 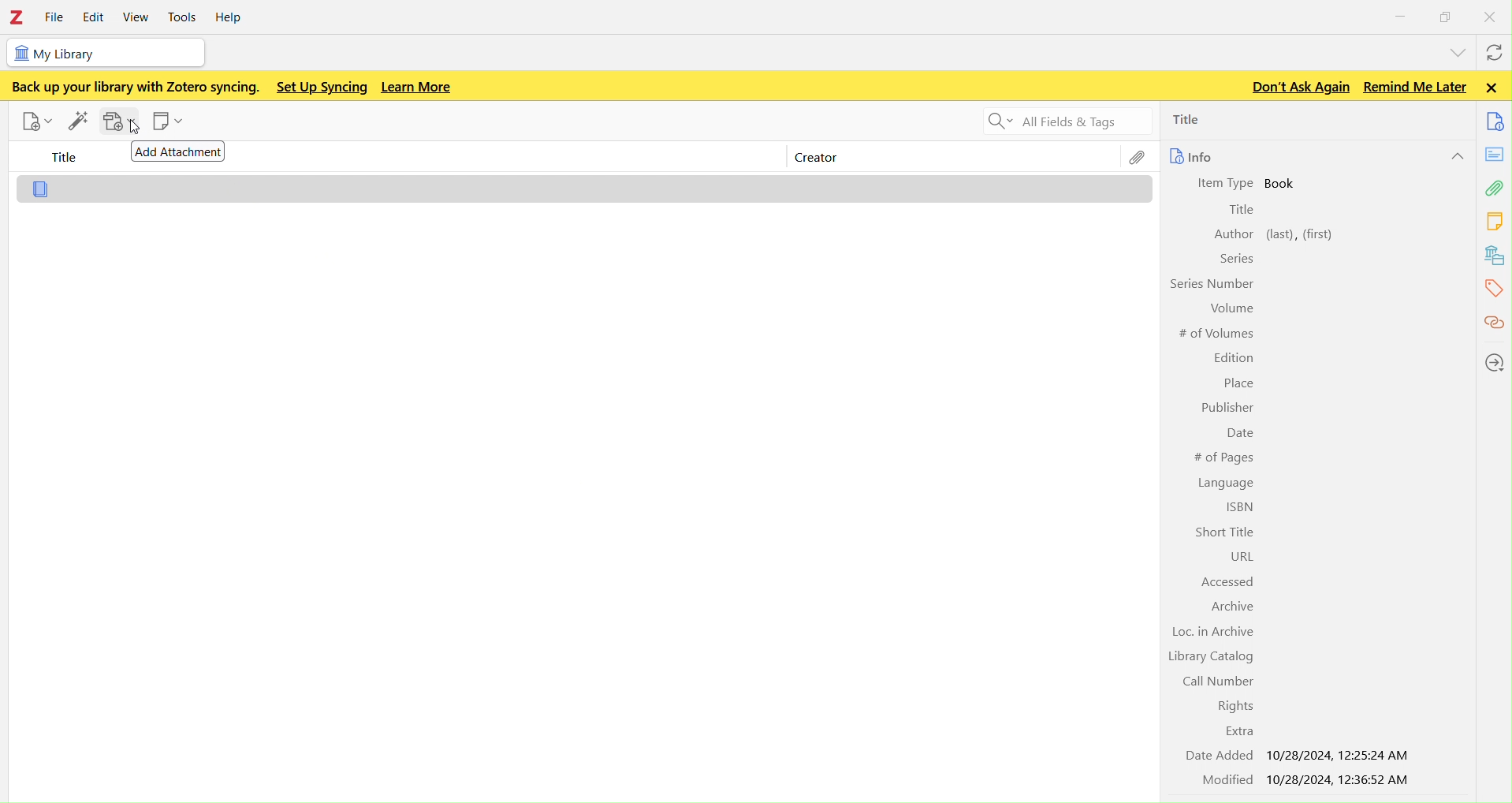 I want to click on notes, so click(x=1496, y=220).